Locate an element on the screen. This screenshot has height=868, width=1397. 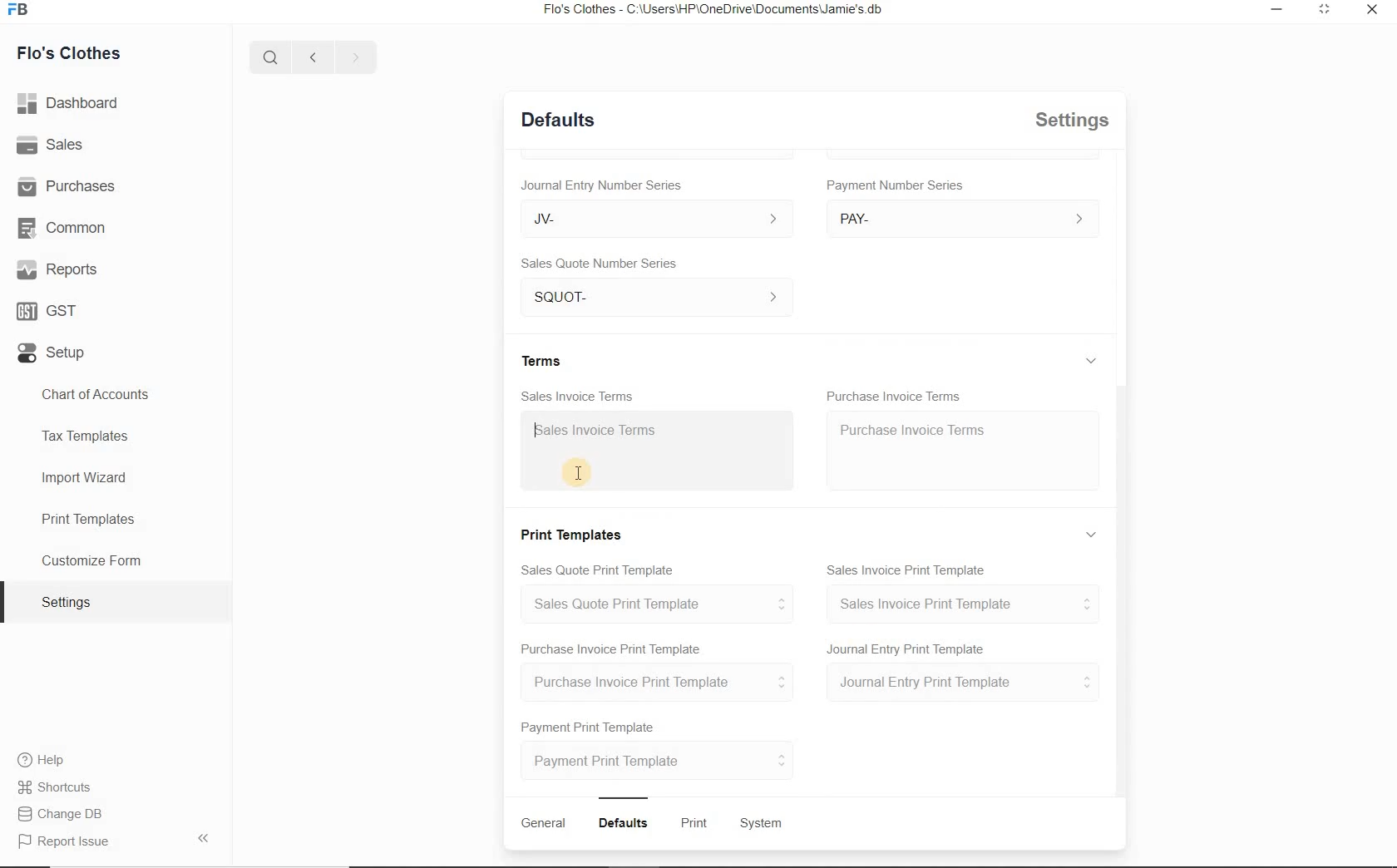
Defaults is located at coordinates (558, 119).